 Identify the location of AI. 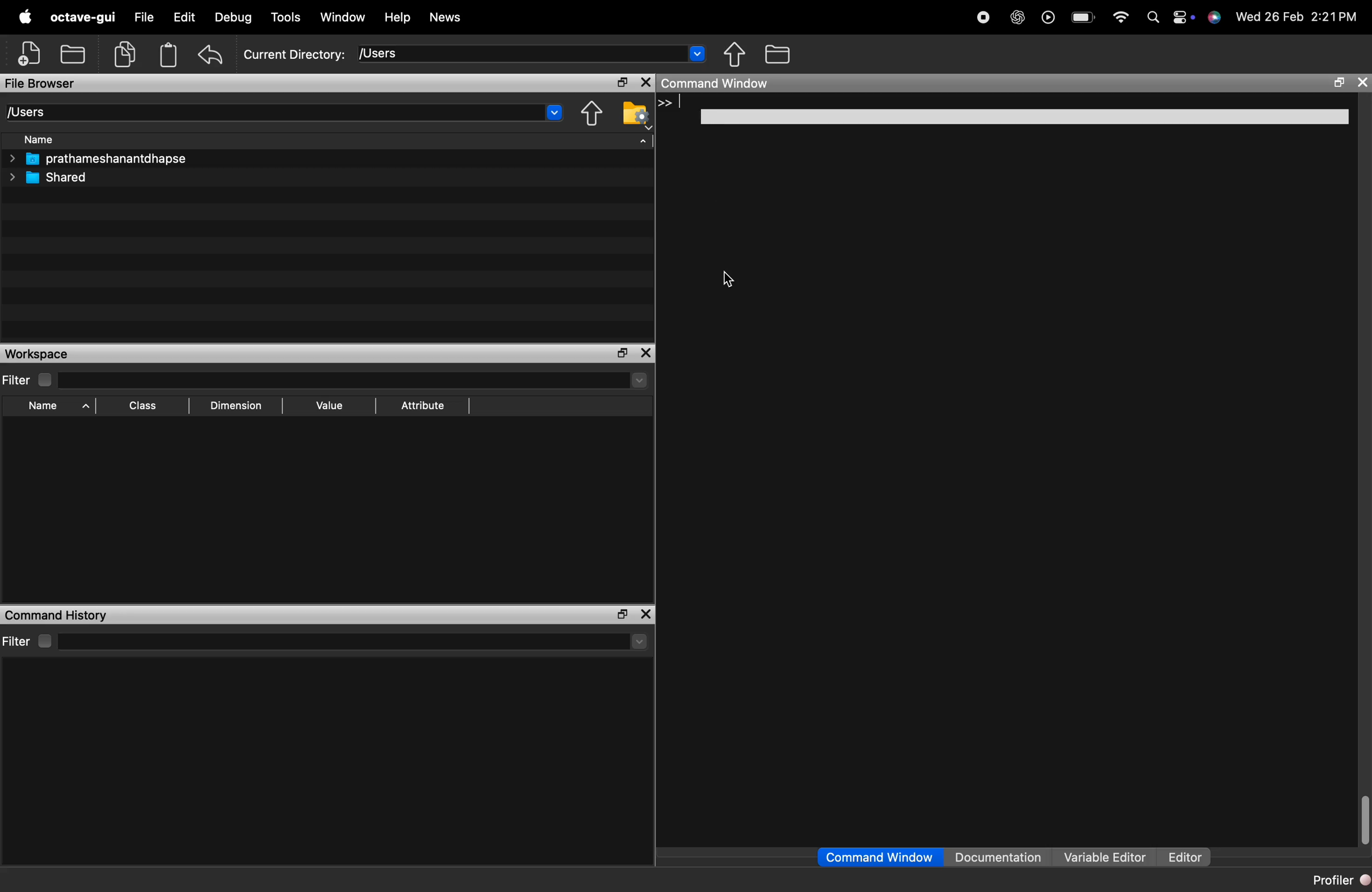
(1020, 17).